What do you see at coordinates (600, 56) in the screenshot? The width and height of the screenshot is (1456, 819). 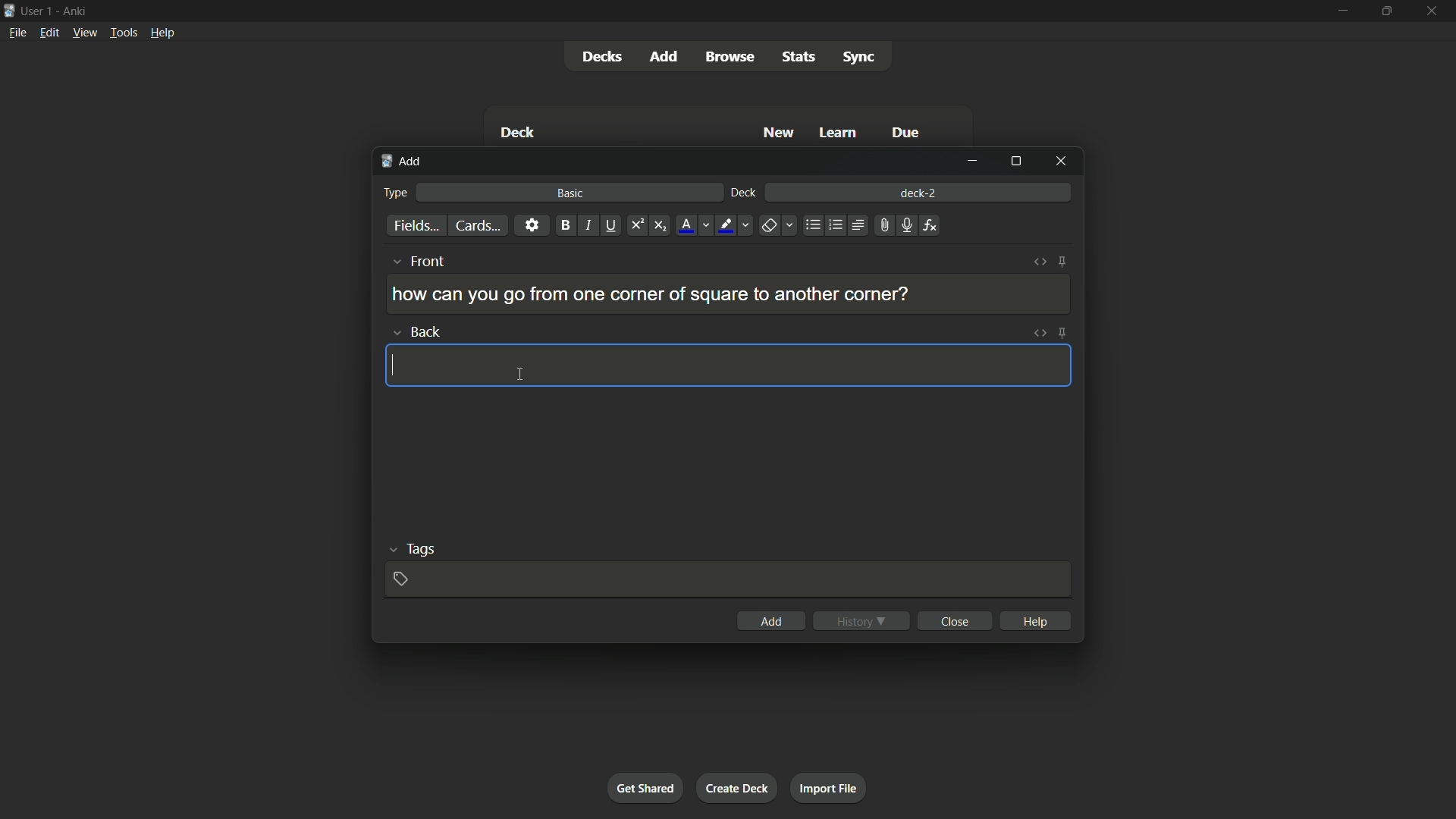 I see `decks` at bounding box center [600, 56].